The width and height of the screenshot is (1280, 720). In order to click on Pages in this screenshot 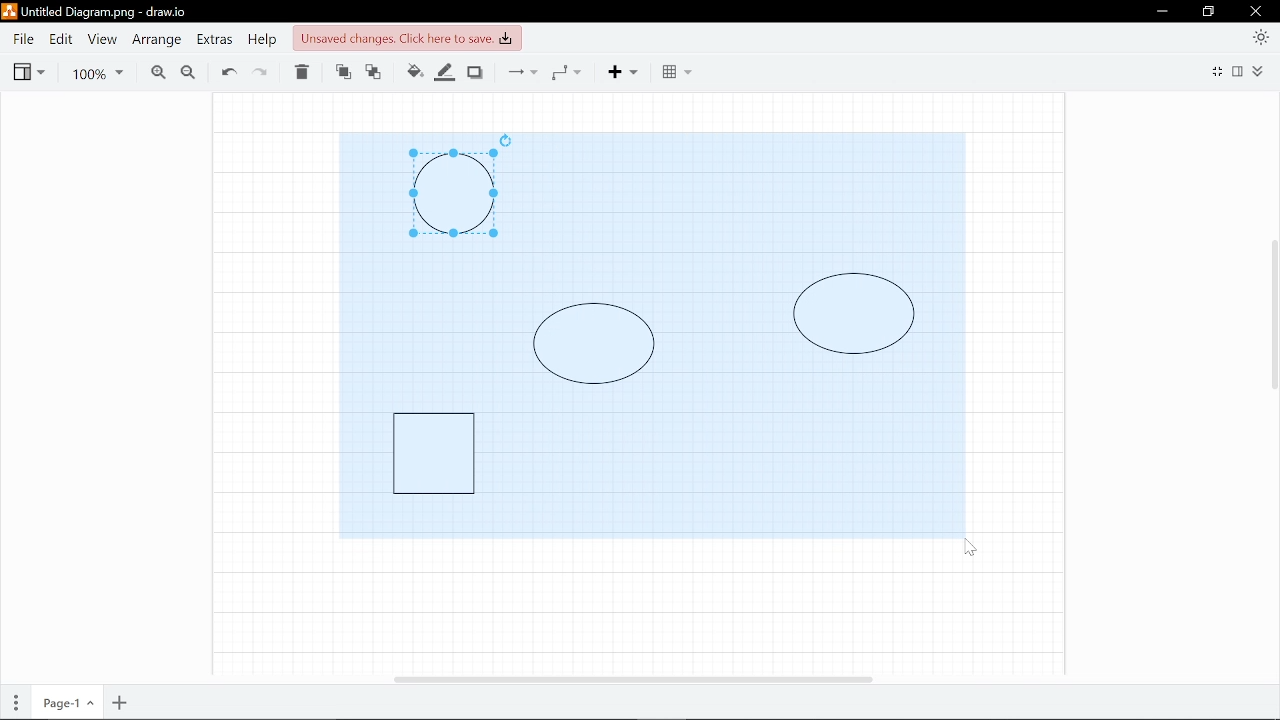, I will do `click(14, 704)`.